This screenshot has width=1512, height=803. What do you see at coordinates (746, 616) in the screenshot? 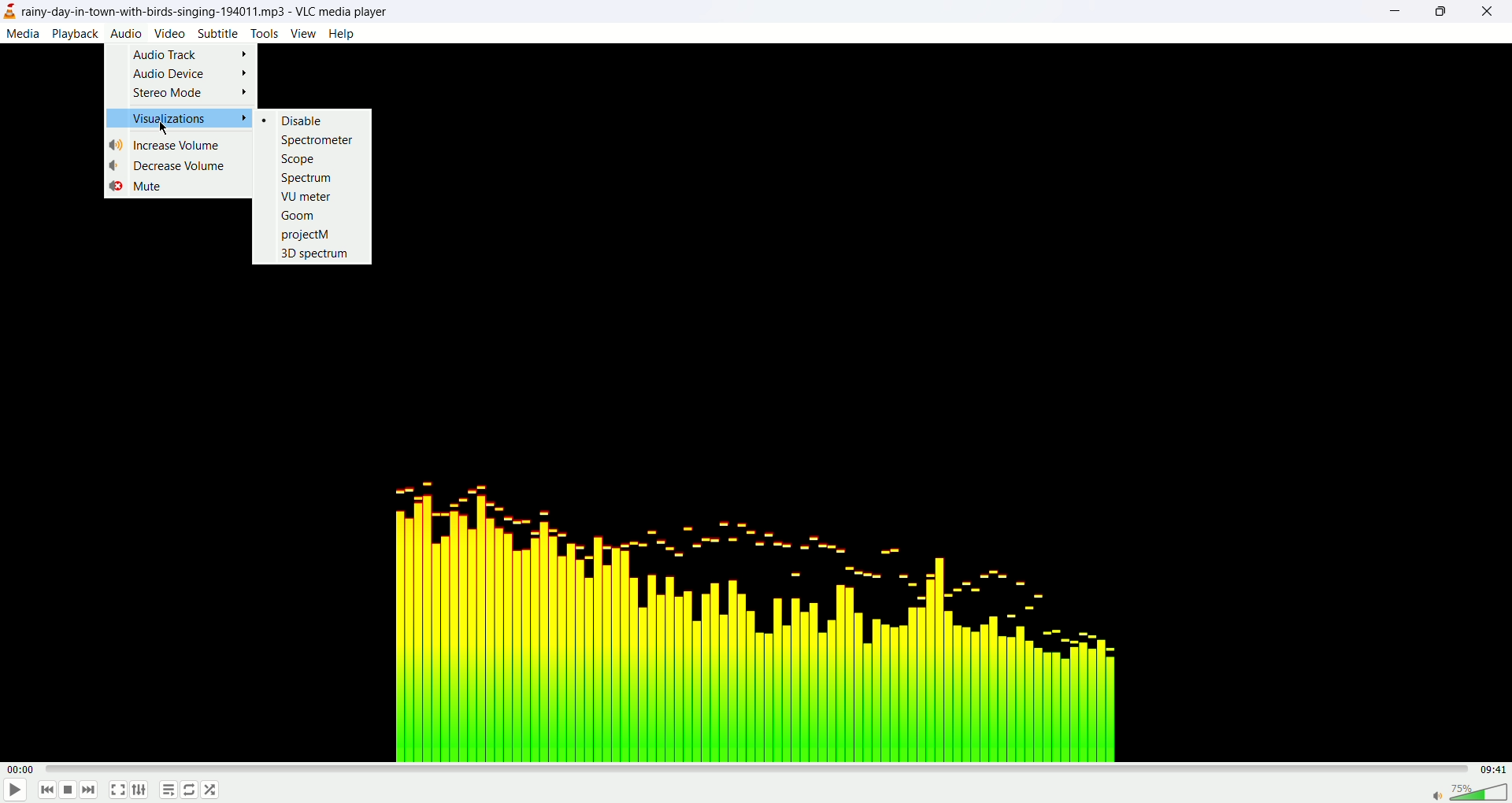
I see `audio tune image` at bounding box center [746, 616].